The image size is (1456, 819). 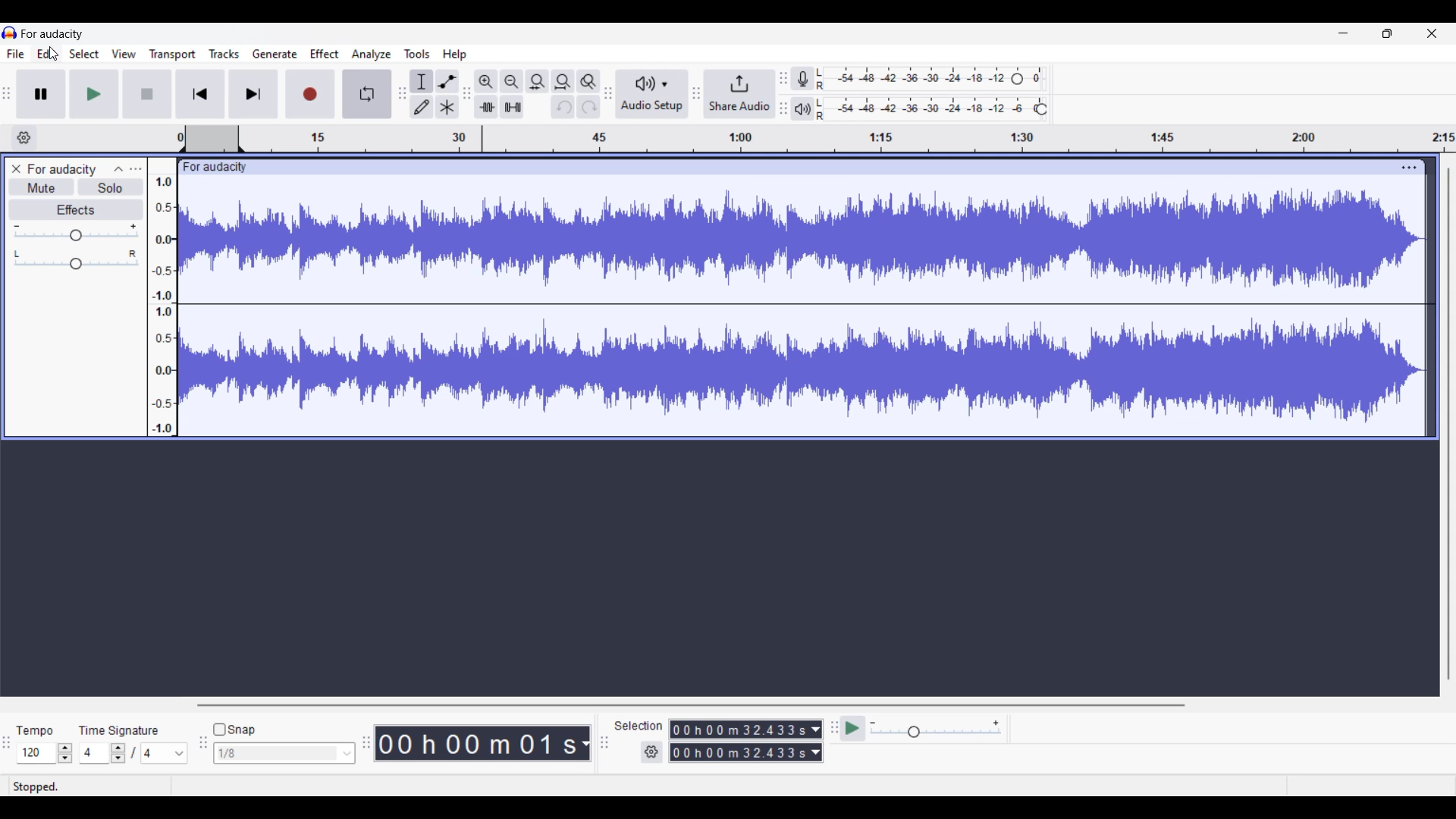 I want to click on Transport menu, so click(x=173, y=55).